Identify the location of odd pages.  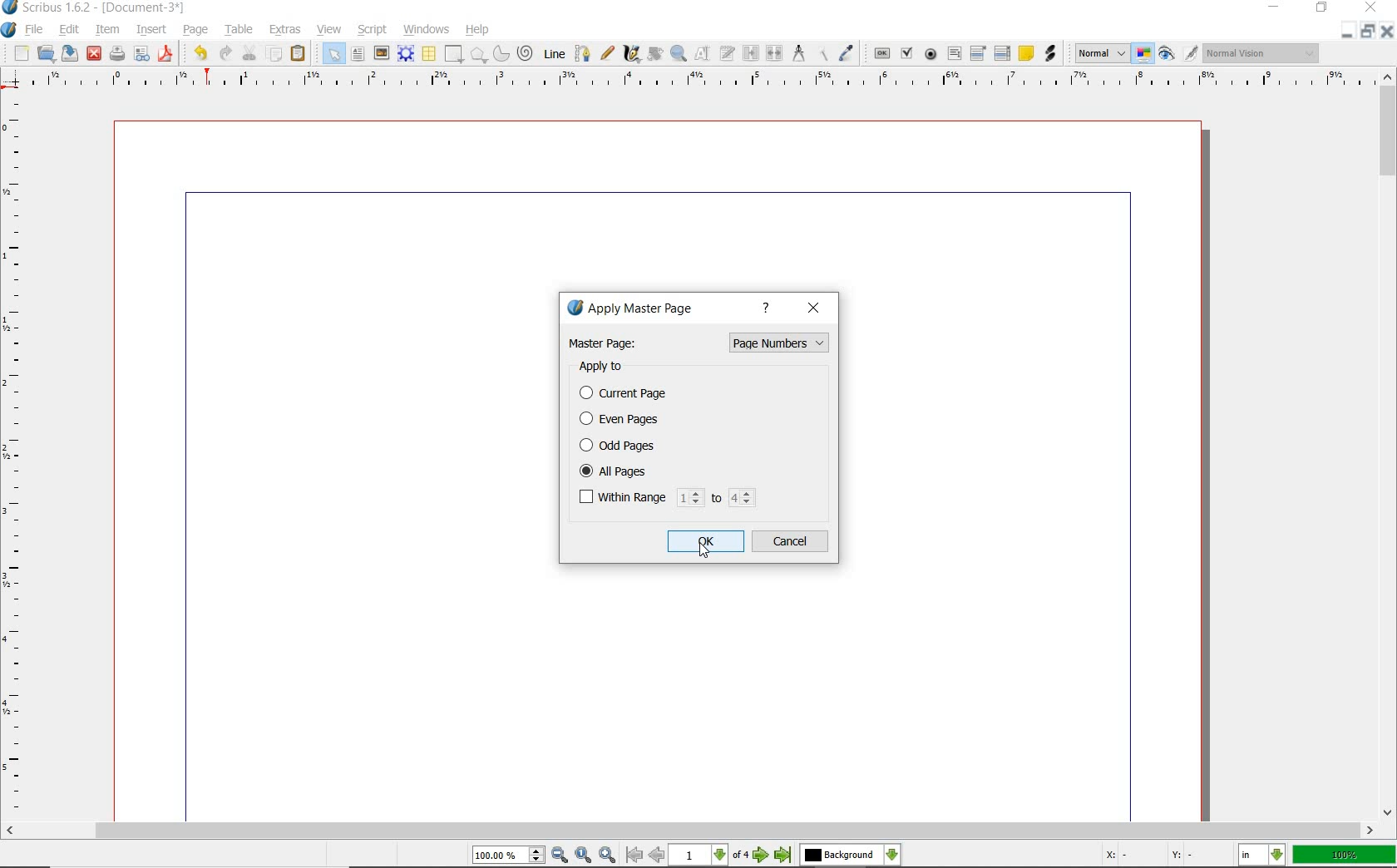
(664, 445).